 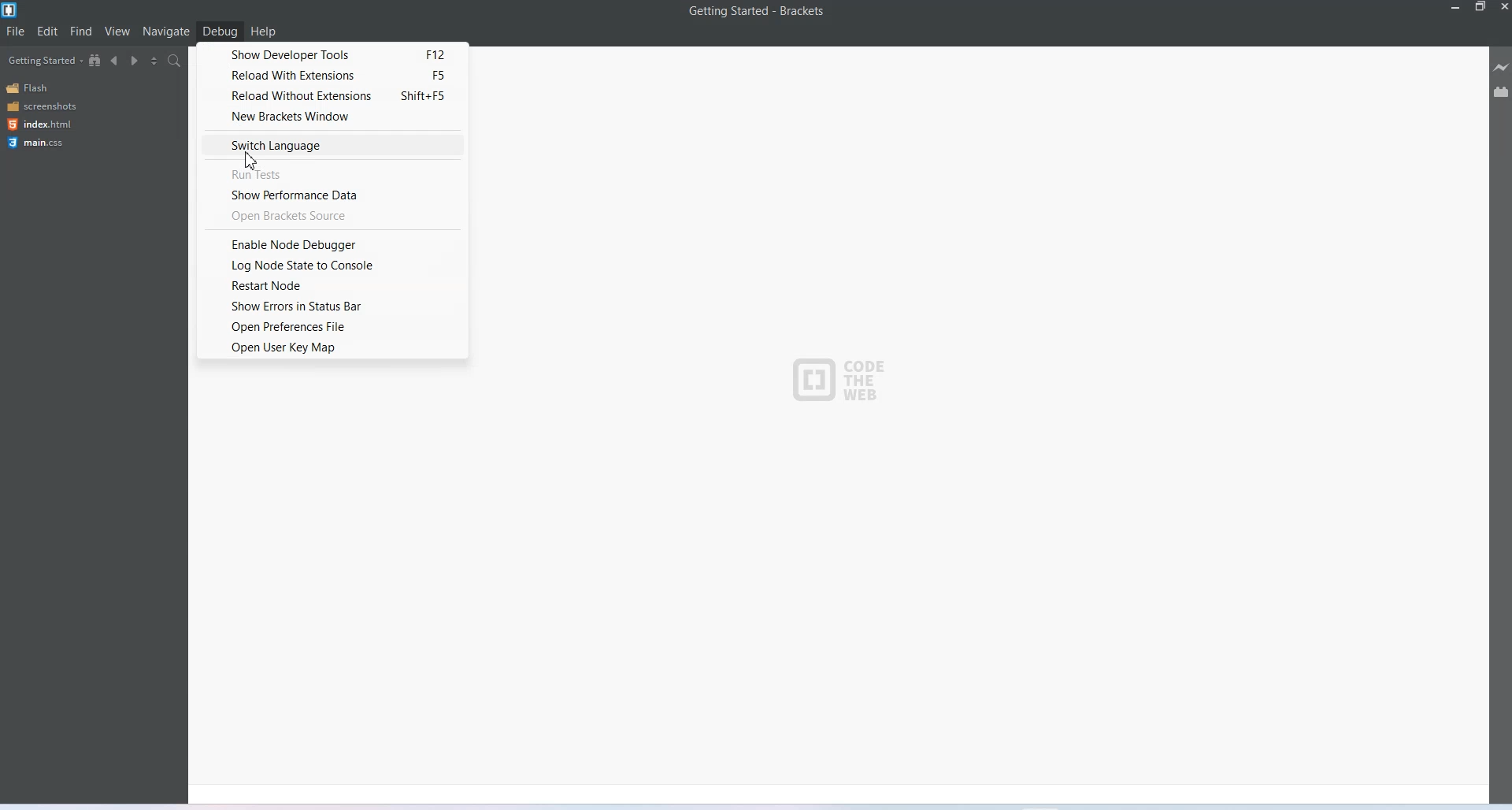 I want to click on view, so click(x=118, y=31).